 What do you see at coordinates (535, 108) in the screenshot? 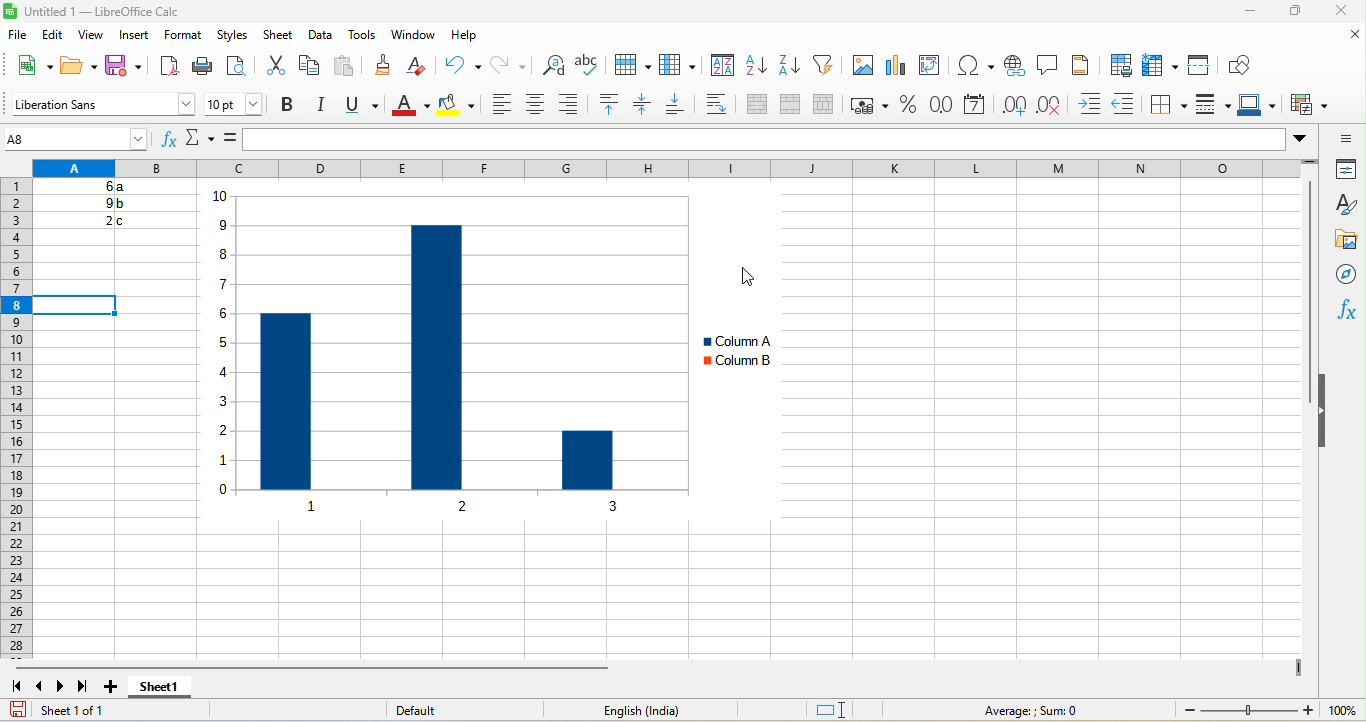
I see `align center` at bounding box center [535, 108].